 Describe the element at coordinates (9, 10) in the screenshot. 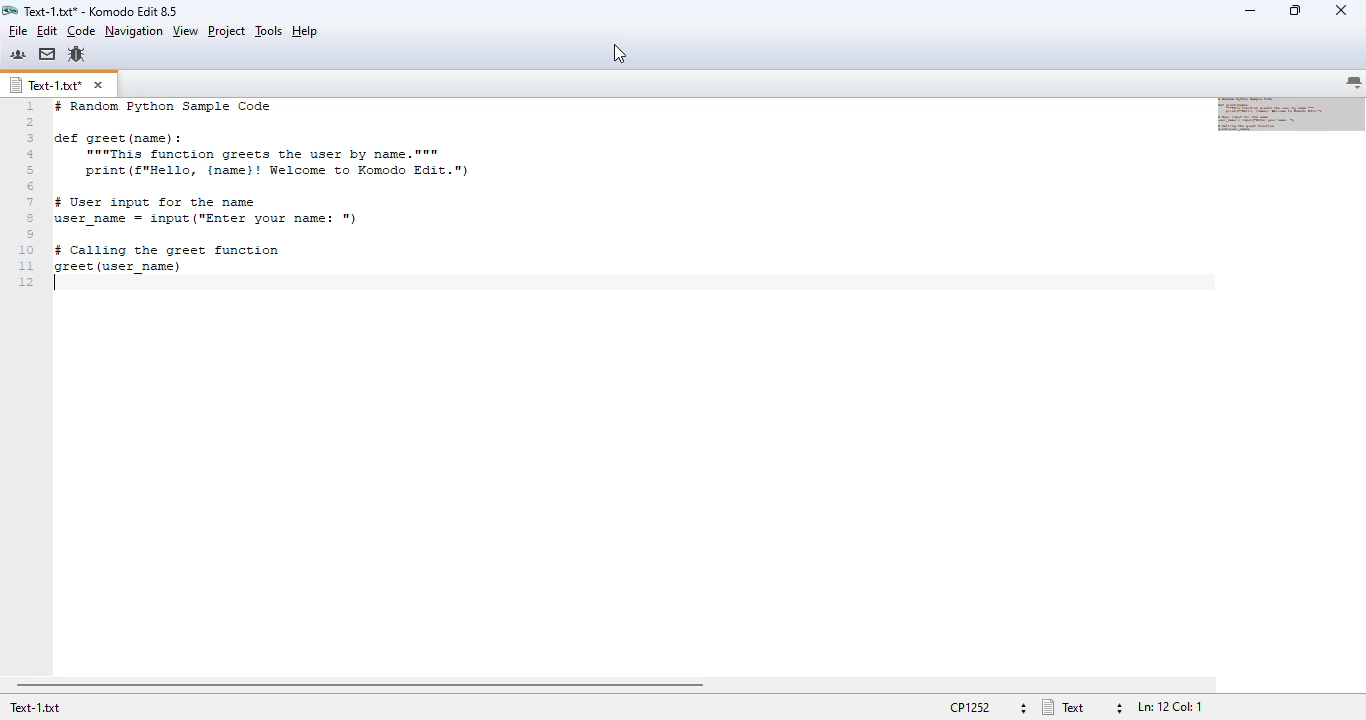

I see `logo` at that location.